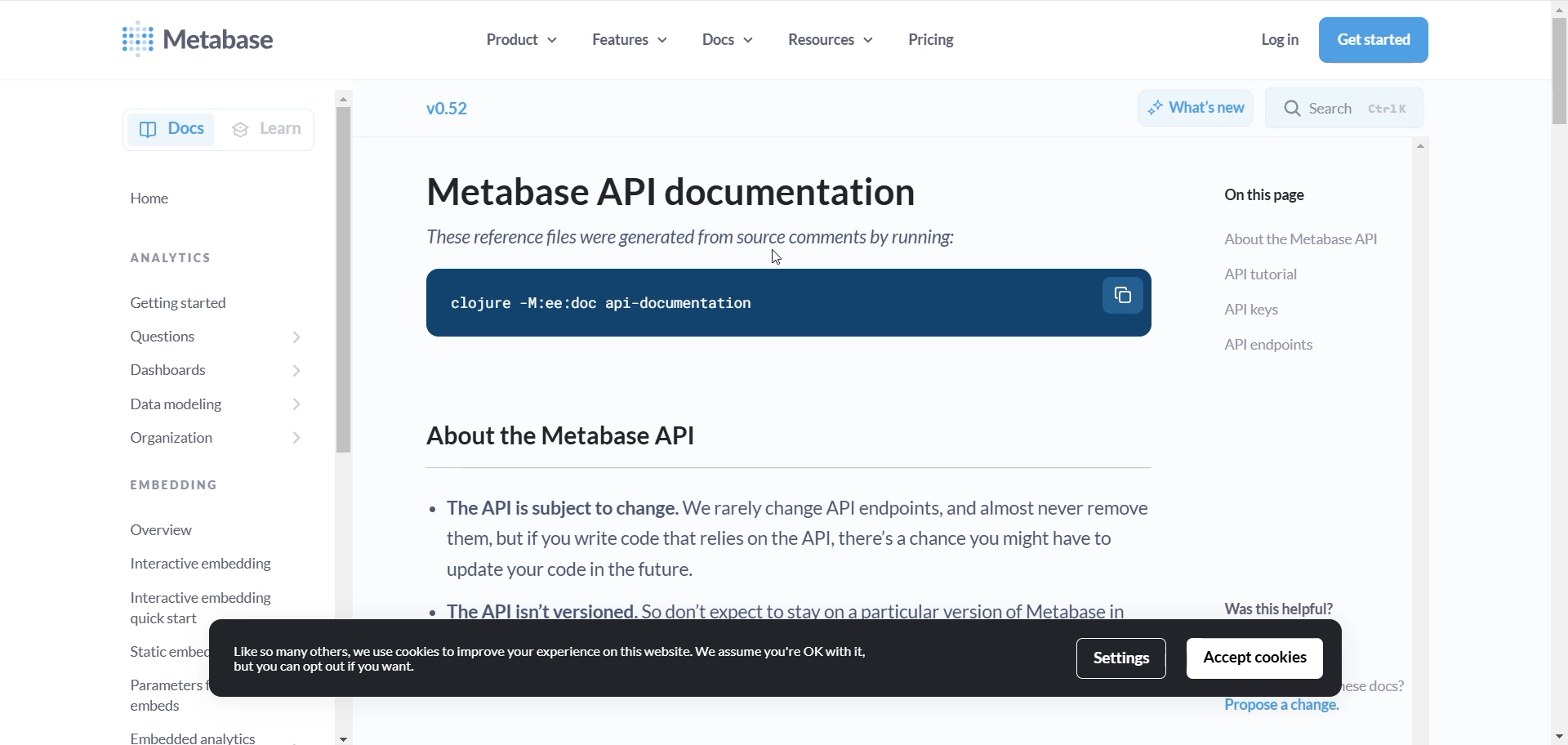 The height and width of the screenshot is (745, 1568). What do you see at coordinates (344, 738) in the screenshot?
I see `move down` at bounding box center [344, 738].